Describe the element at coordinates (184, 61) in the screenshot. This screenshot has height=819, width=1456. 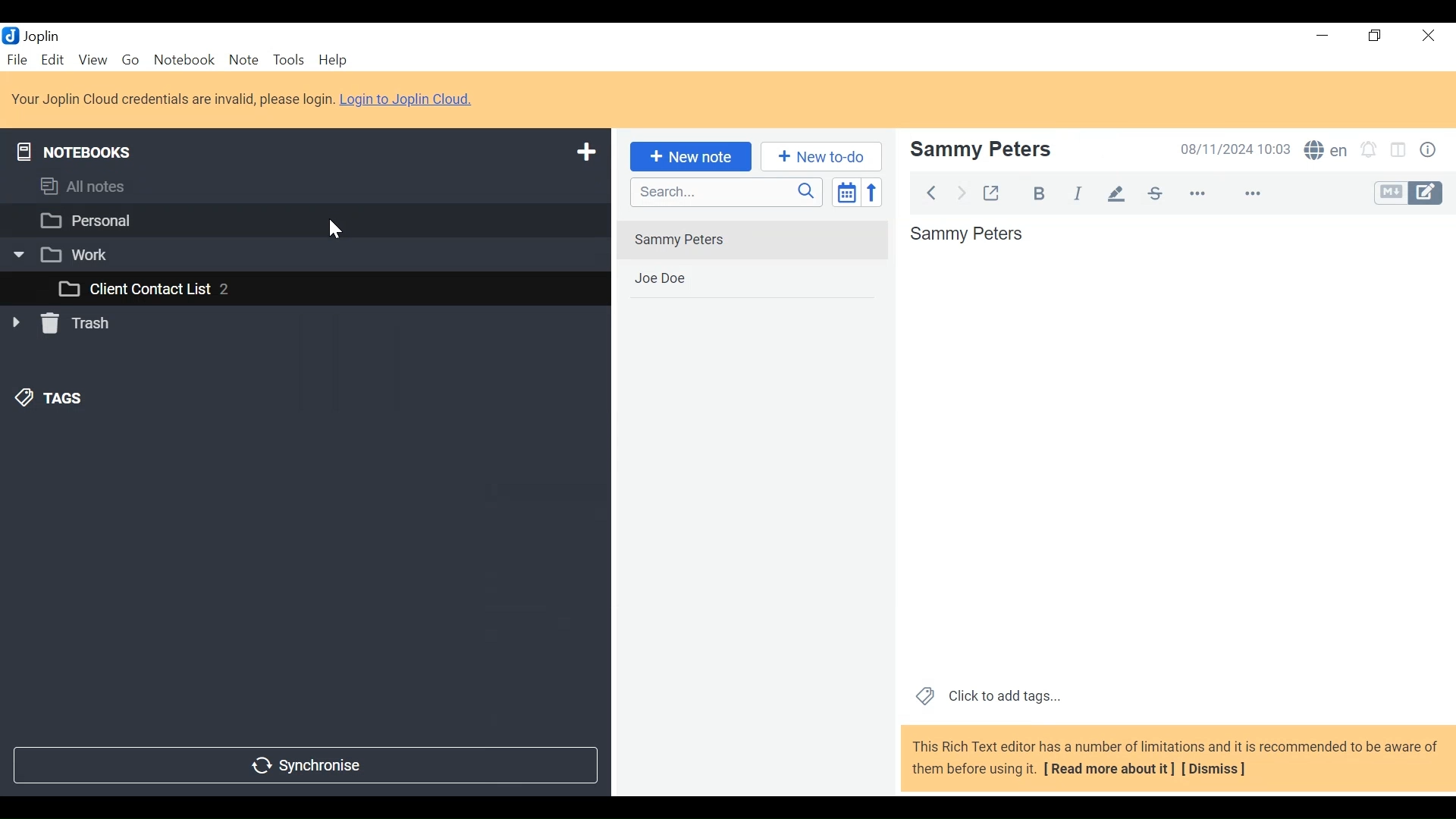
I see `Notebook` at that location.